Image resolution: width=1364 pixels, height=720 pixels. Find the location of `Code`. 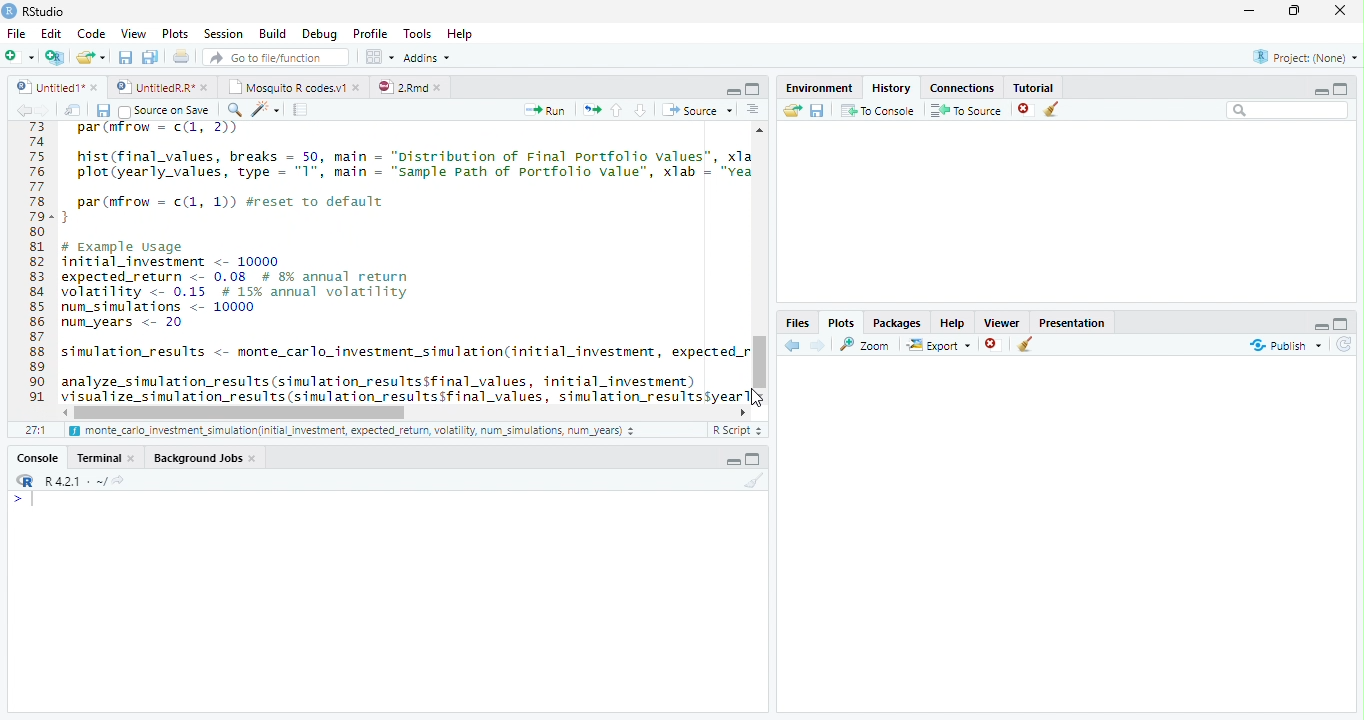

Code is located at coordinates (89, 33).